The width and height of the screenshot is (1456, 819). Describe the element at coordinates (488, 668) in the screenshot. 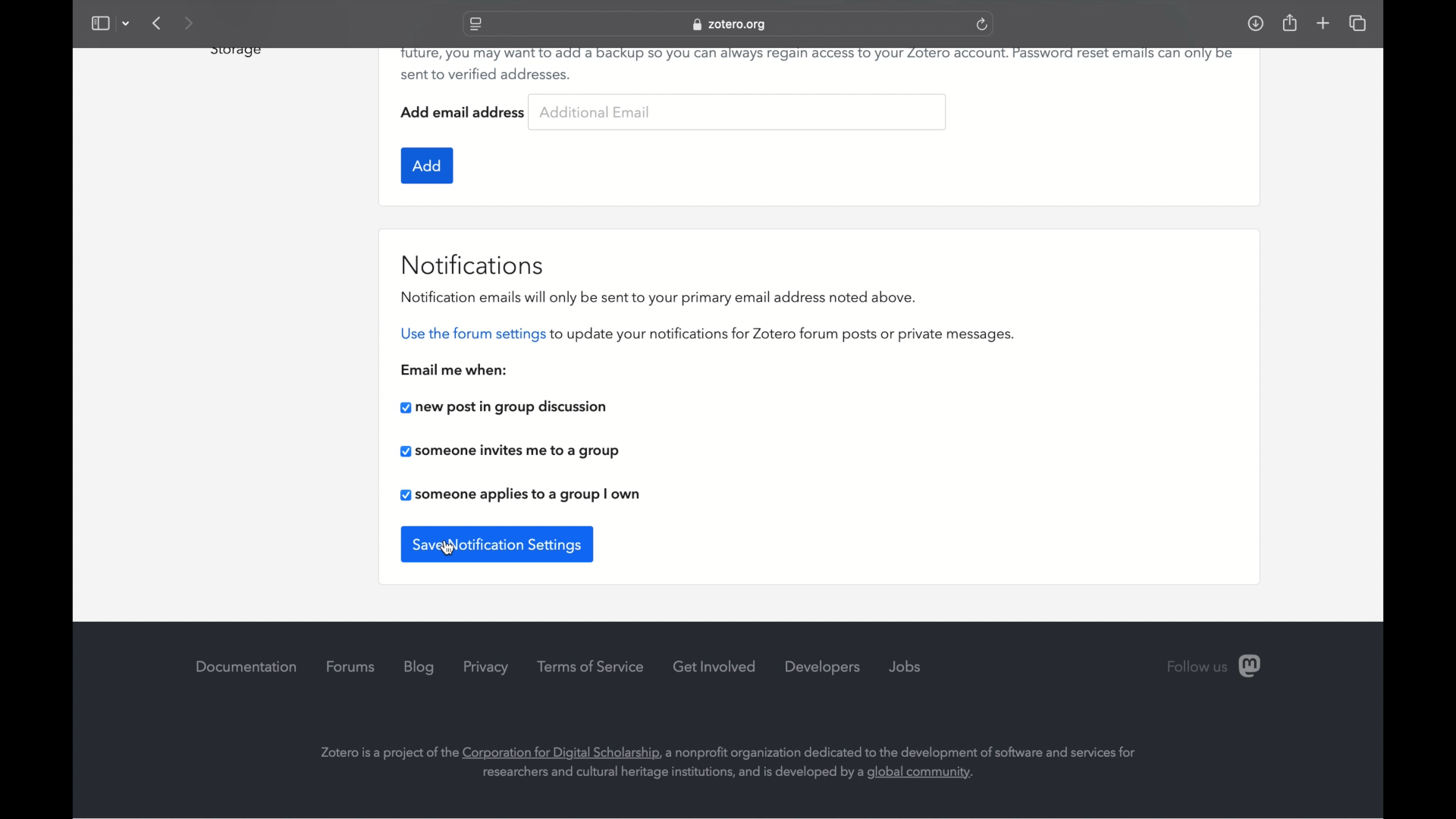

I see `privacy` at that location.